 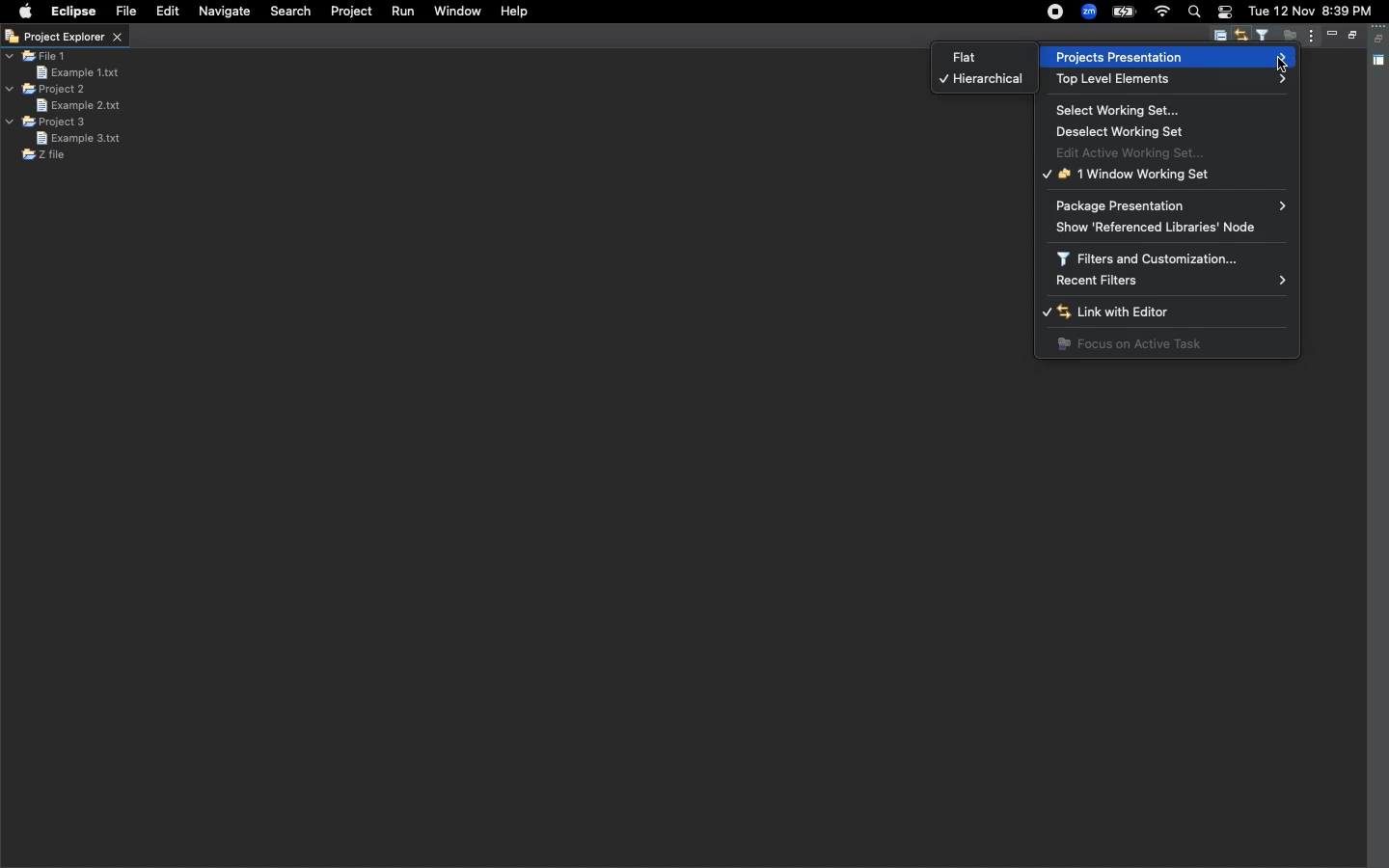 I want to click on Flat, so click(x=958, y=58).